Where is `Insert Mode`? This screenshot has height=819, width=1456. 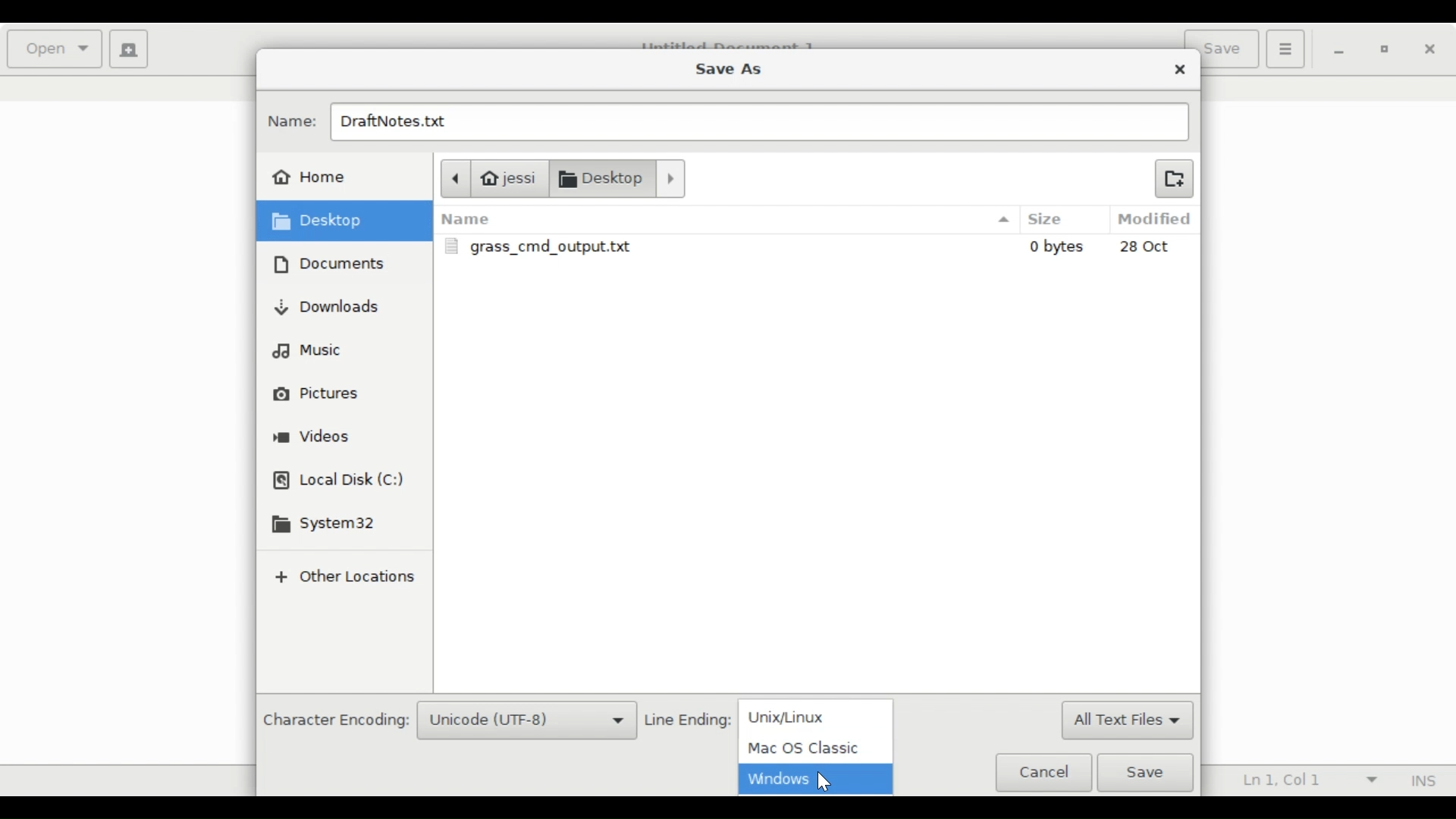
Insert Mode is located at coordinates (1420, 781).